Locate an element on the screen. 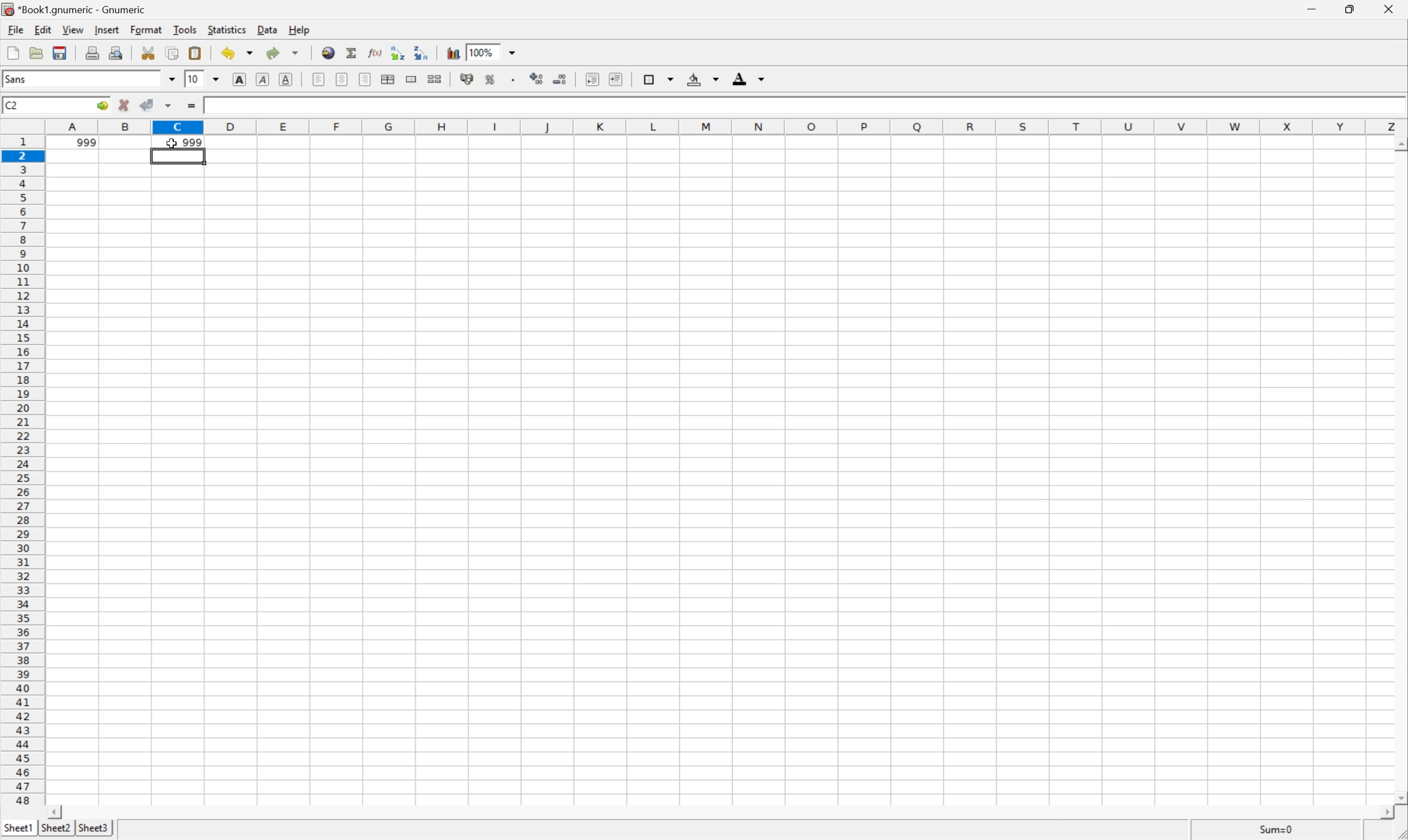  restore down is located at coordinates (1349, 11).